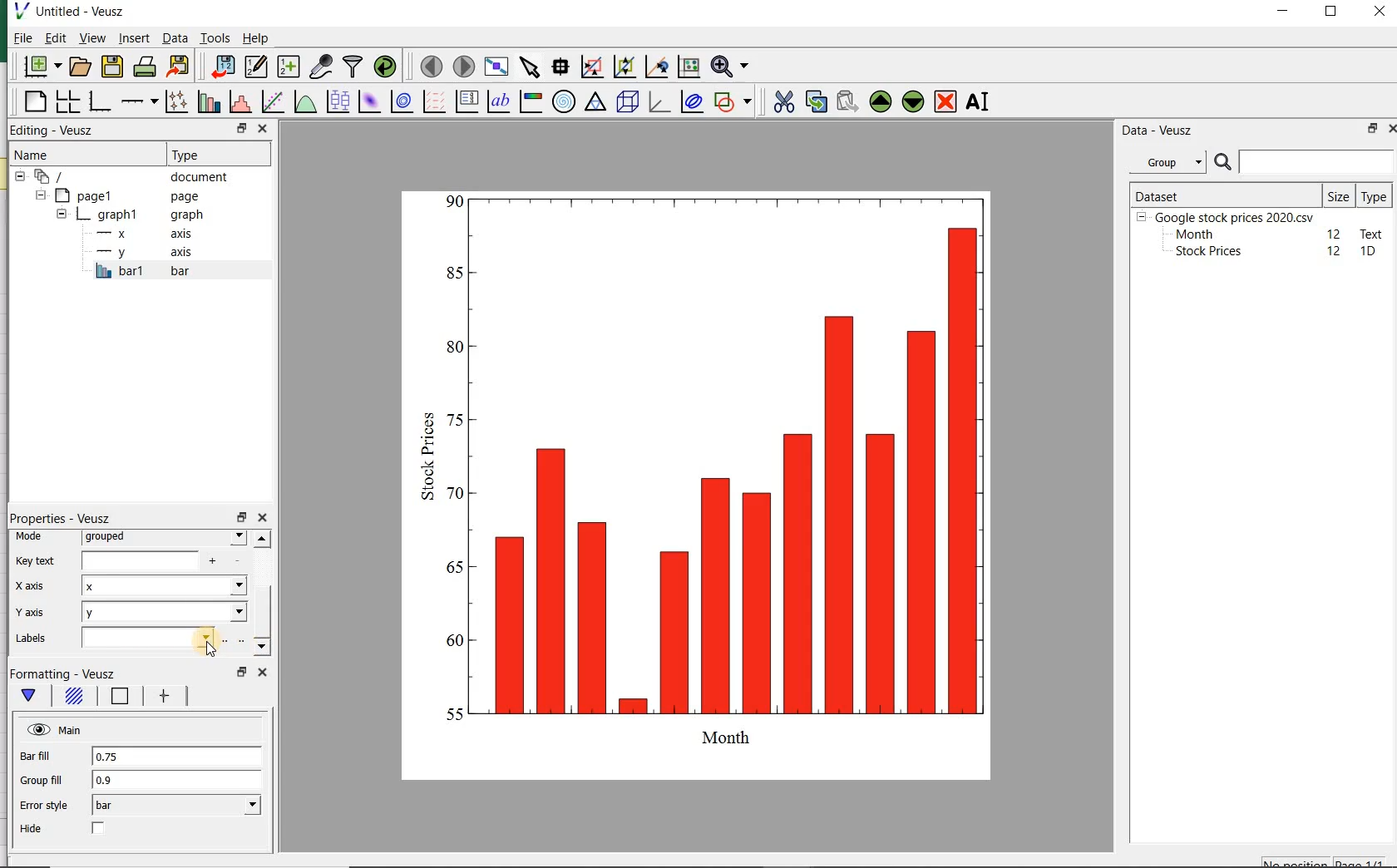  I want to click on capture remote data, so click(321, 67).